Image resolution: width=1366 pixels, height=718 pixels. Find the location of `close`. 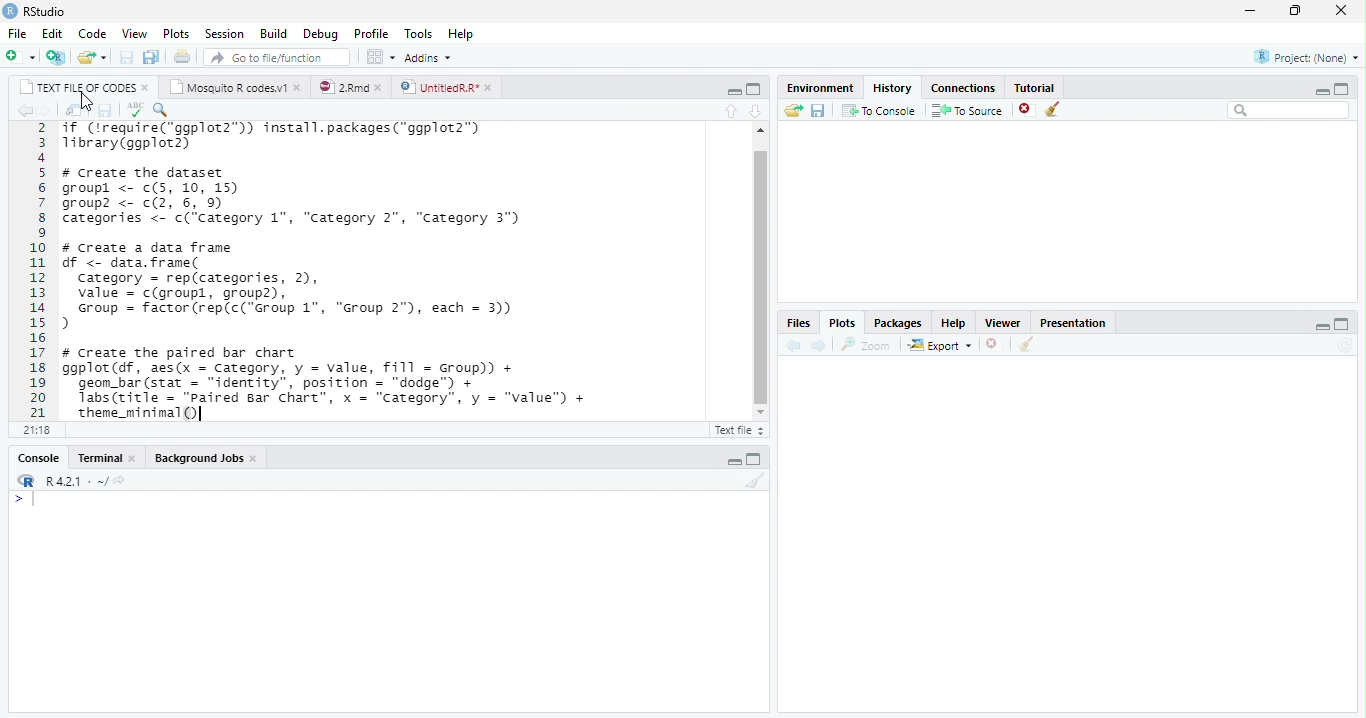

close is located at coordinates (254, 459).